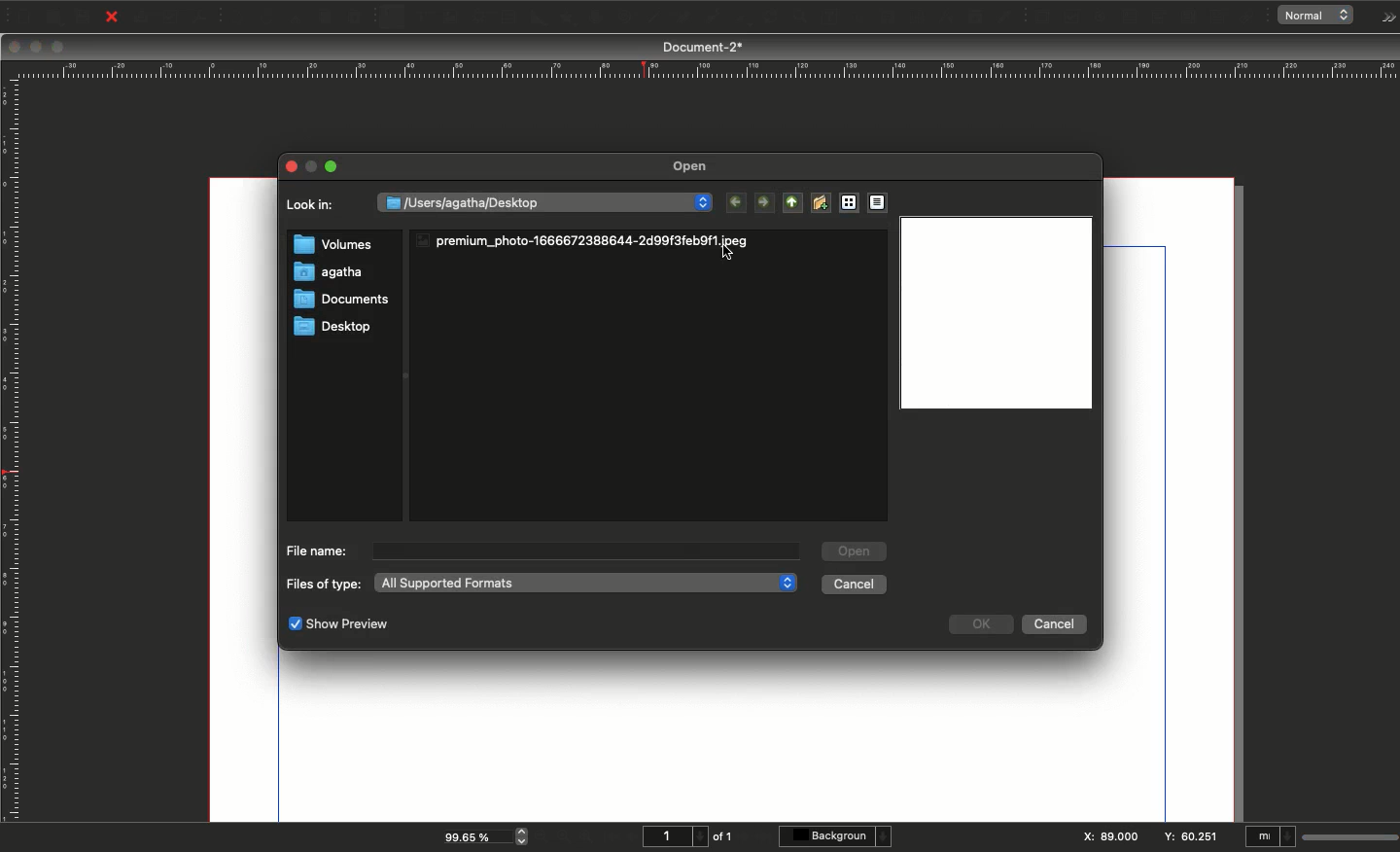 The image size is (1400, 852). I want to click on Rotate item, so click(740, 20).